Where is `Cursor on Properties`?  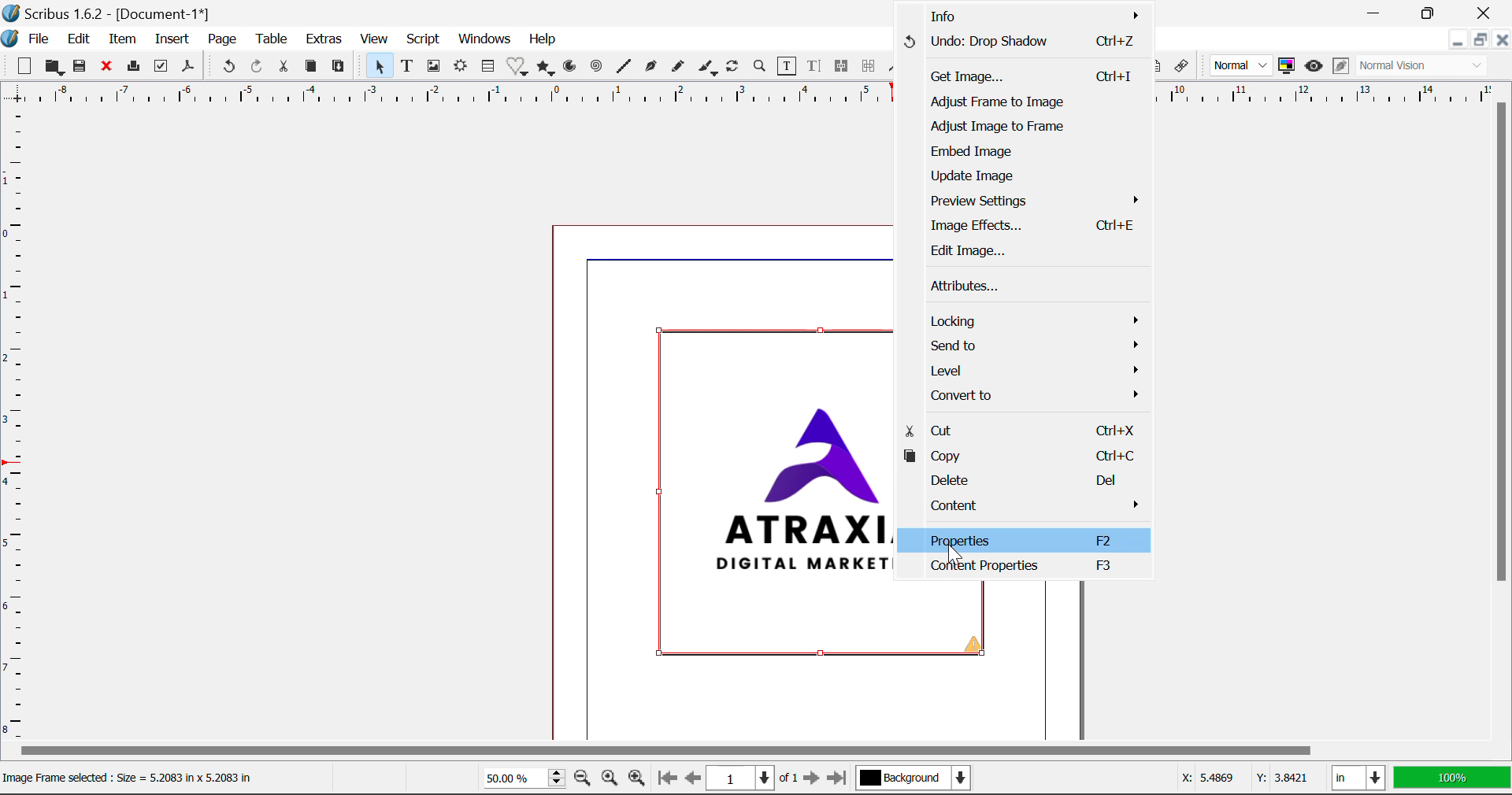
Cursor on Properties is located at coordinates (951, 549).